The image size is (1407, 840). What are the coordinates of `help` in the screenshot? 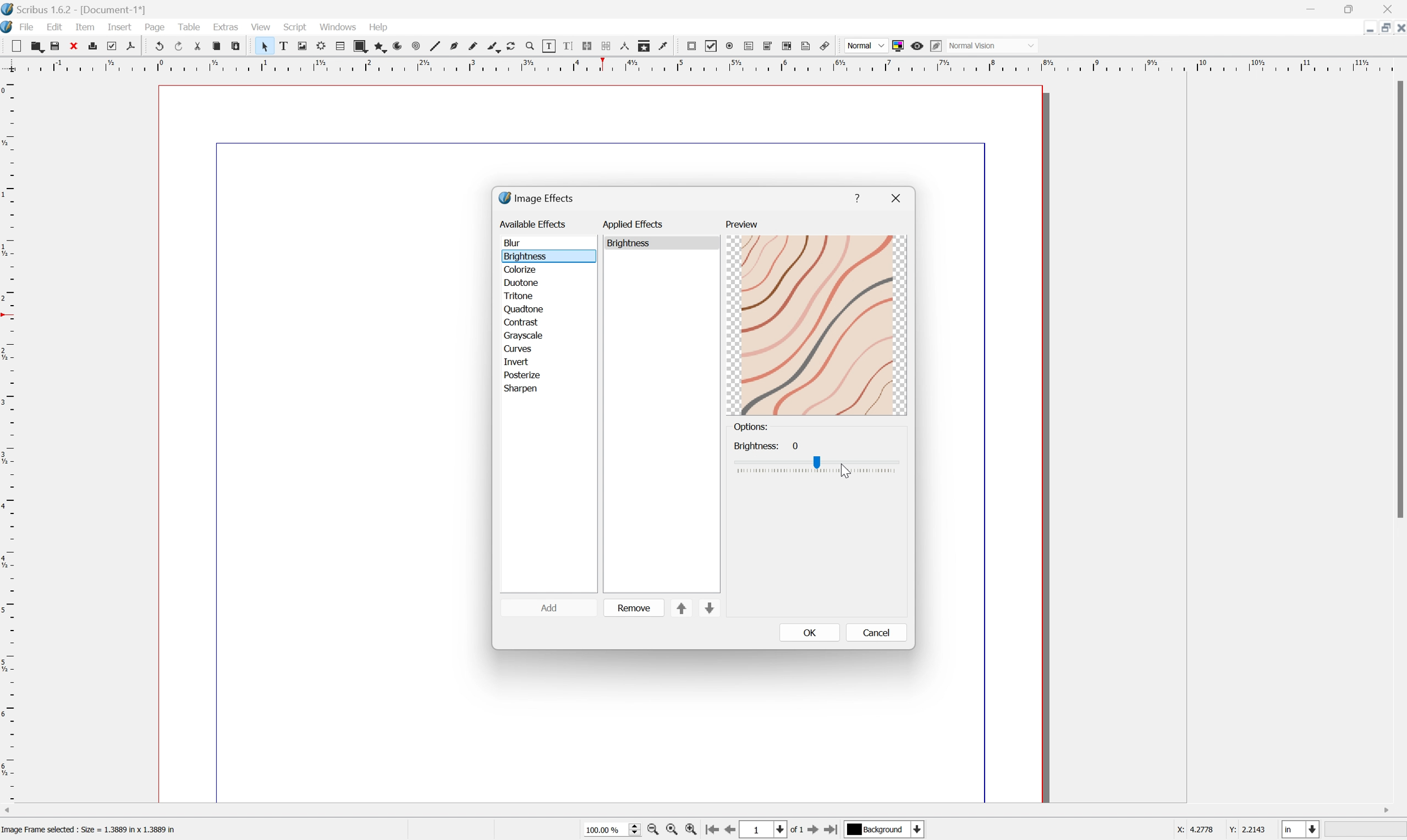 It's located at (857, 198).